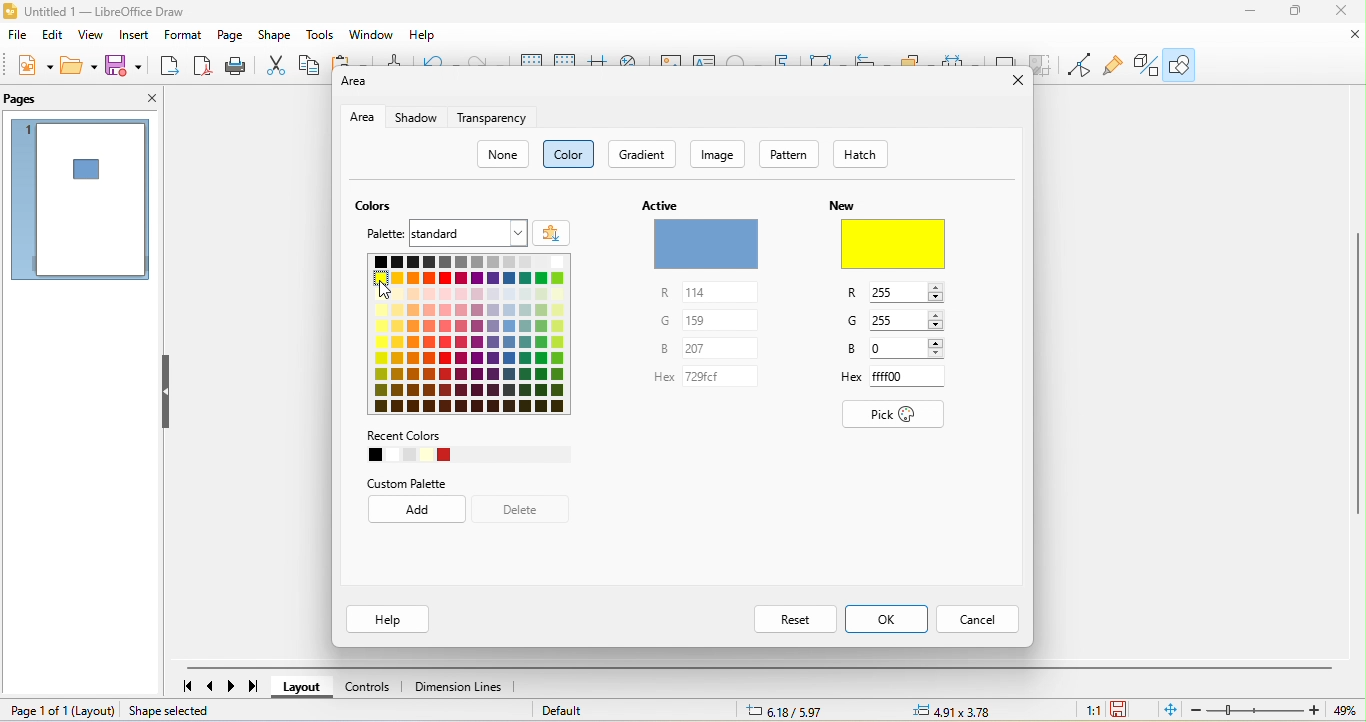 This screenshot has height=722, width=1366. I want to click on controls, so click(374, 684).